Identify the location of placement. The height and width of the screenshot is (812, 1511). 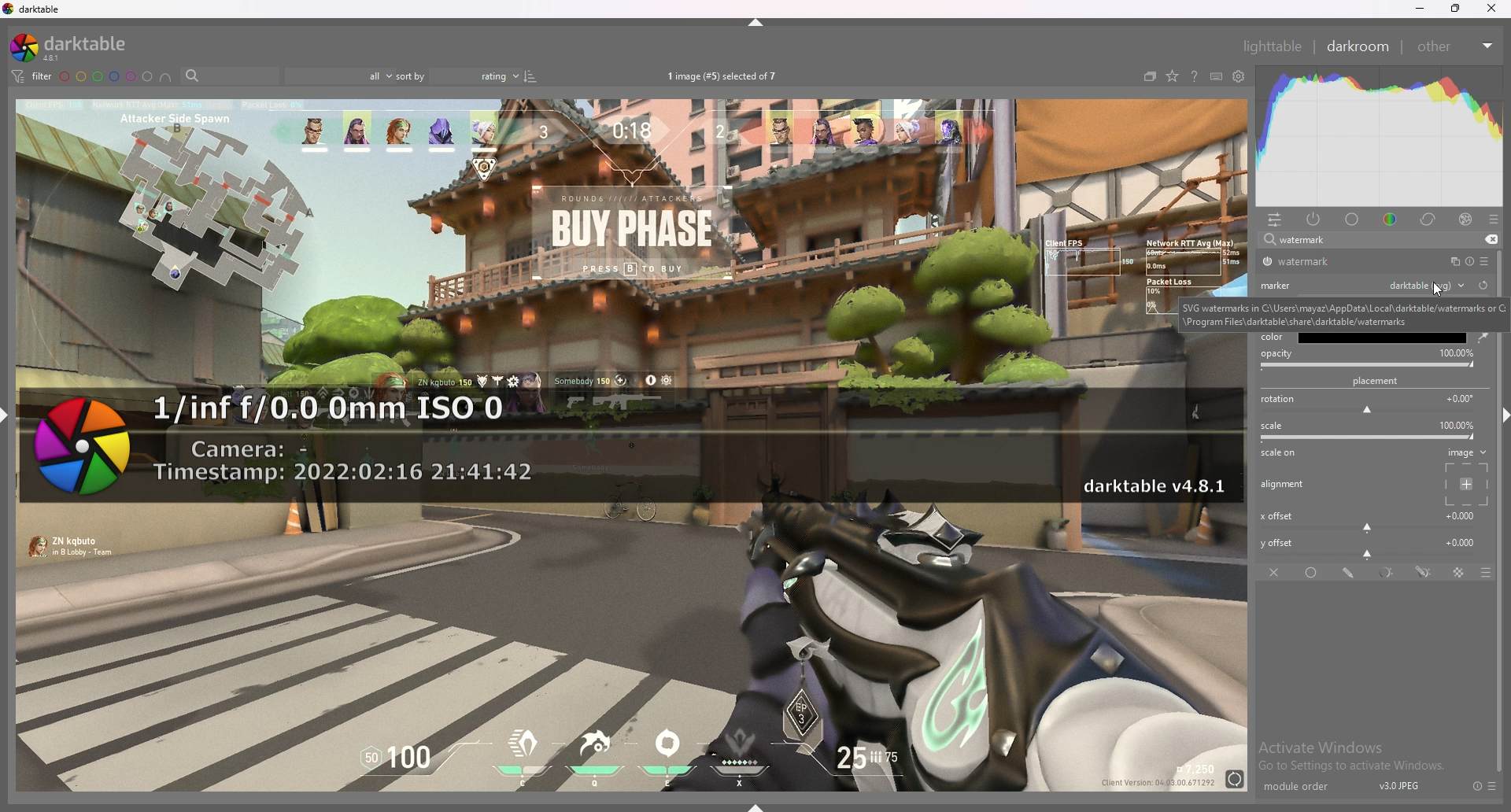
(1379, 381).